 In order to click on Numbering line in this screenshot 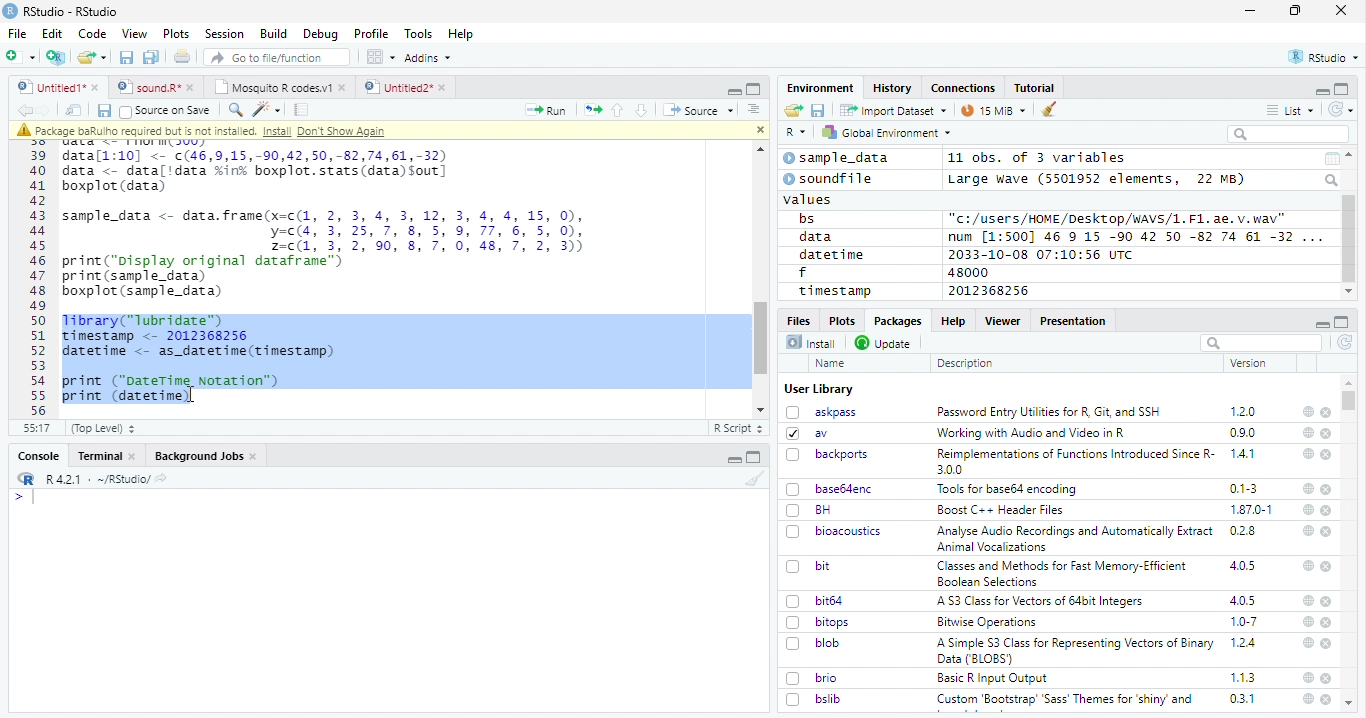, I will do `click(39, 282)`.